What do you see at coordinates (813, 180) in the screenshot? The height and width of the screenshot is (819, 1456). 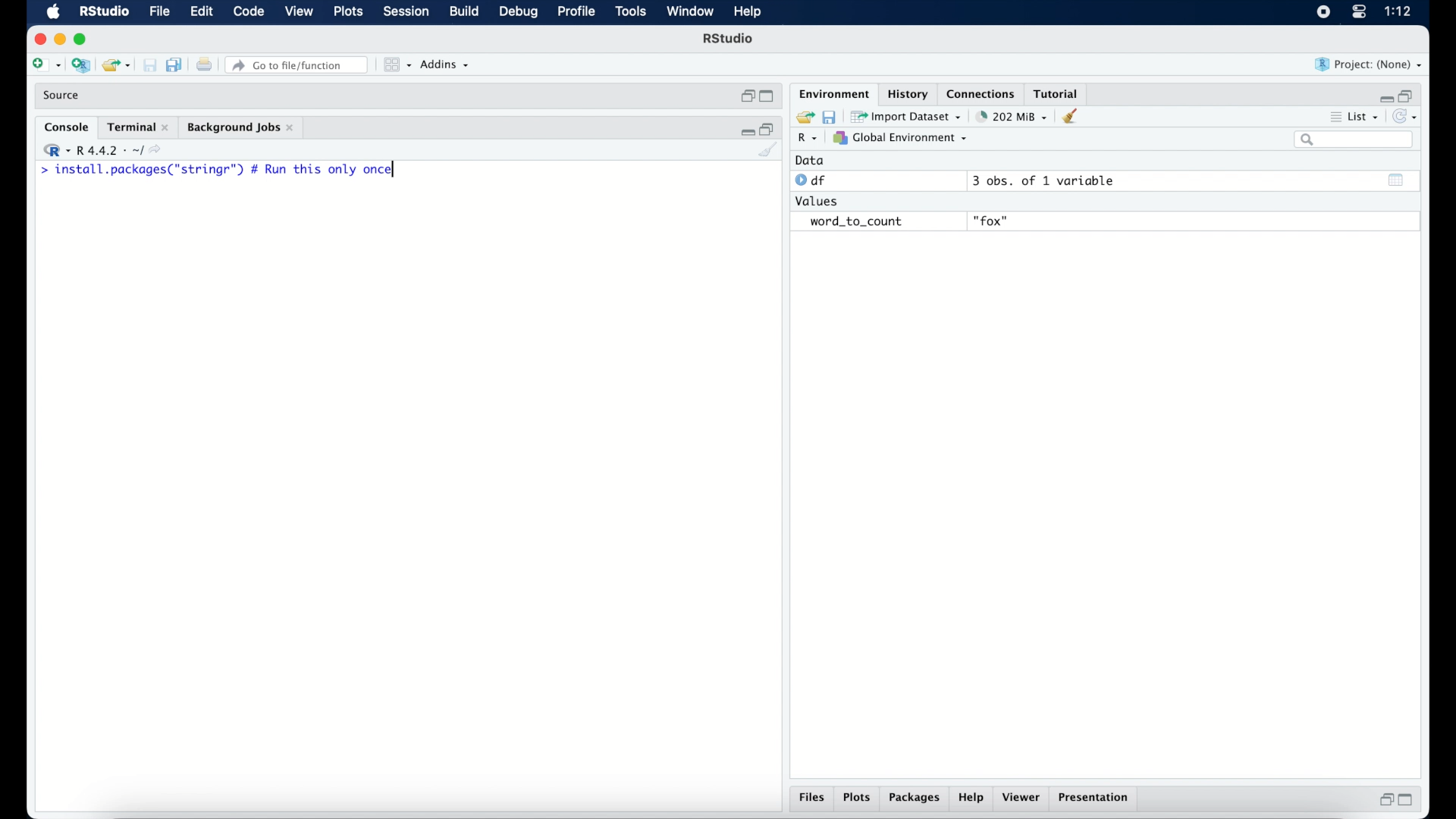 I see `df` at bounding box center [813, 180].